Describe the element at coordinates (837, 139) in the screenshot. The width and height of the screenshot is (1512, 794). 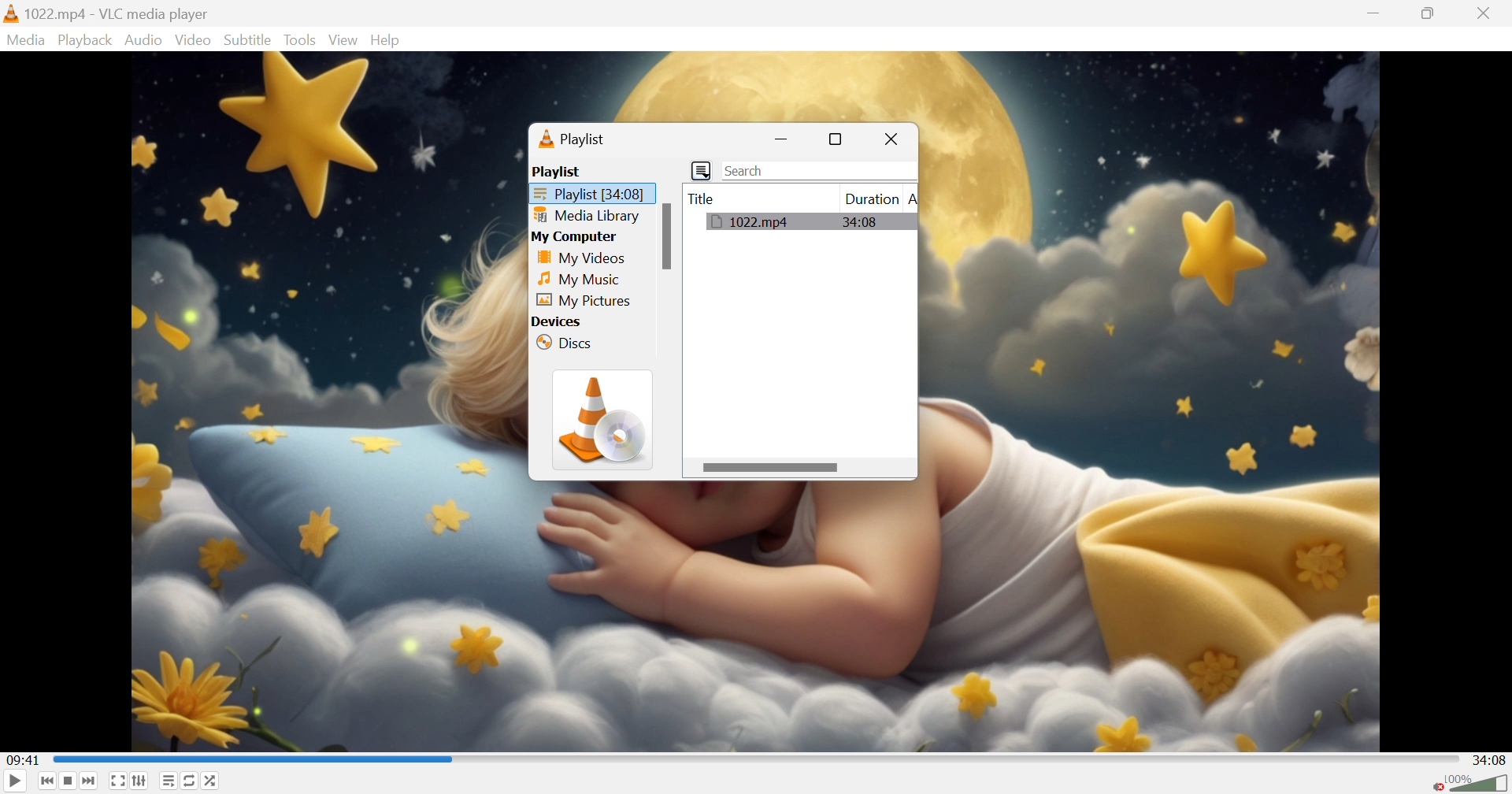
I see `Restore down` at that location.